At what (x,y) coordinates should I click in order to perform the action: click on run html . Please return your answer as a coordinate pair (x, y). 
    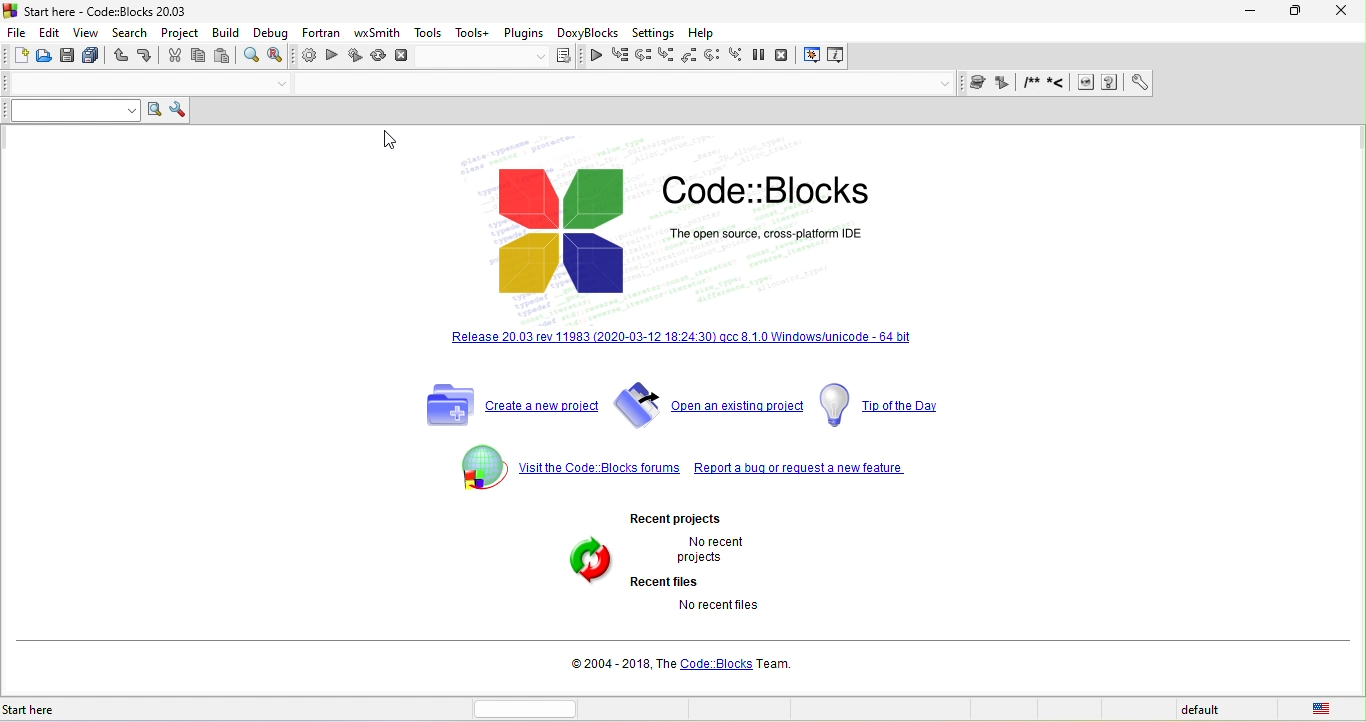
    Looking at the image, I should click on (1244, 84).